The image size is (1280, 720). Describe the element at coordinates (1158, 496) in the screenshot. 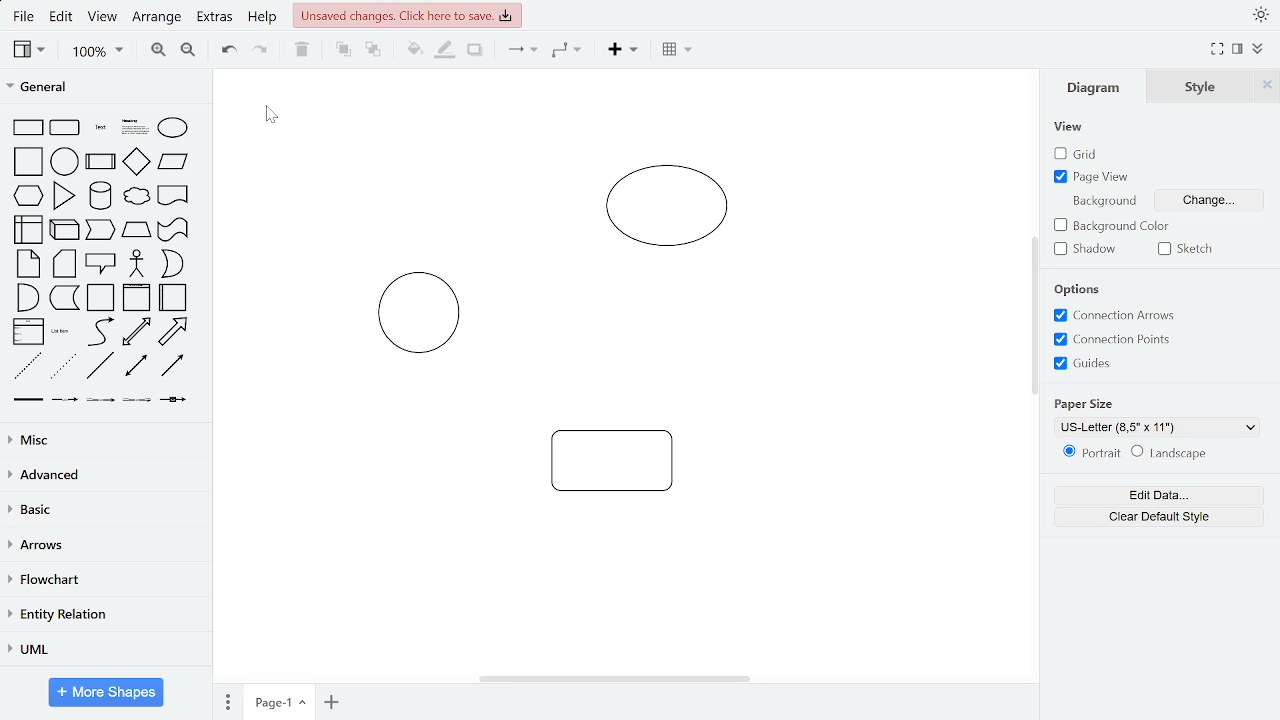

I see `edit data` at that location.